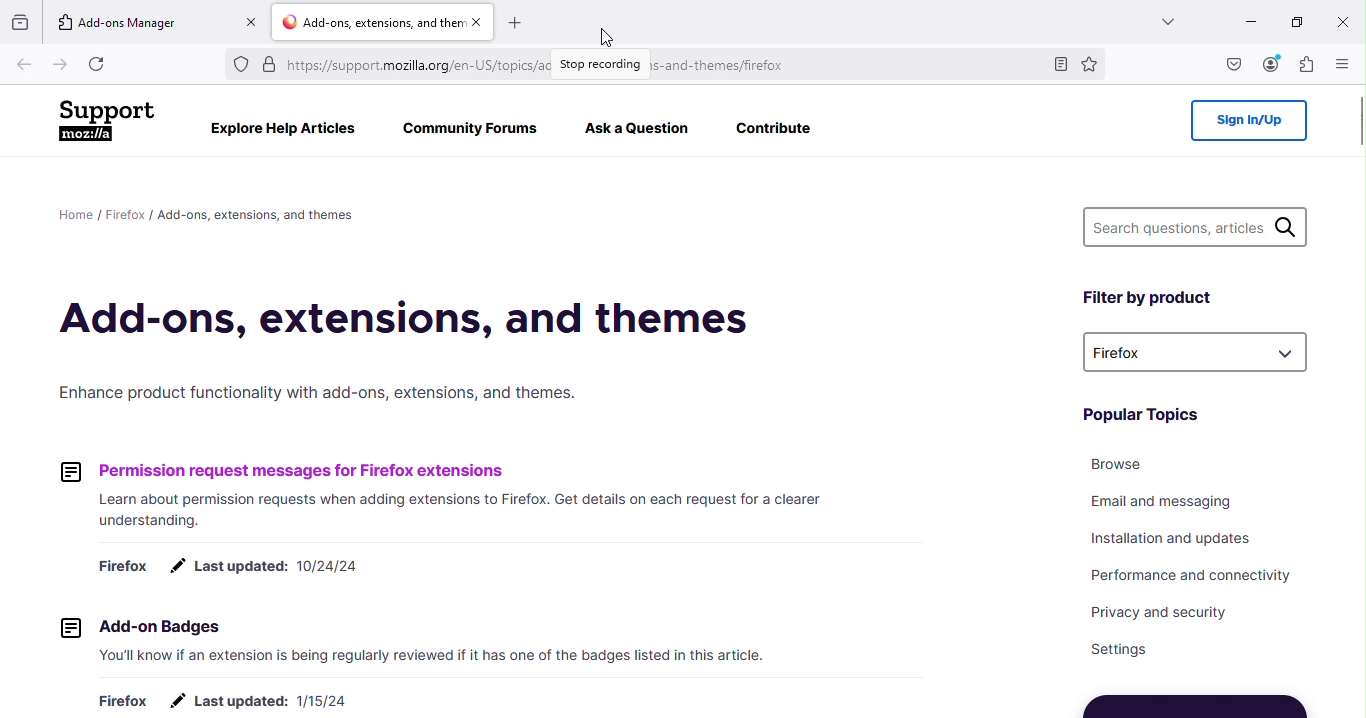  What do you see at coordinates (1182, 579) in the screenshot?
I see `Performance and connectivity` at bounding box center [1182, 579].